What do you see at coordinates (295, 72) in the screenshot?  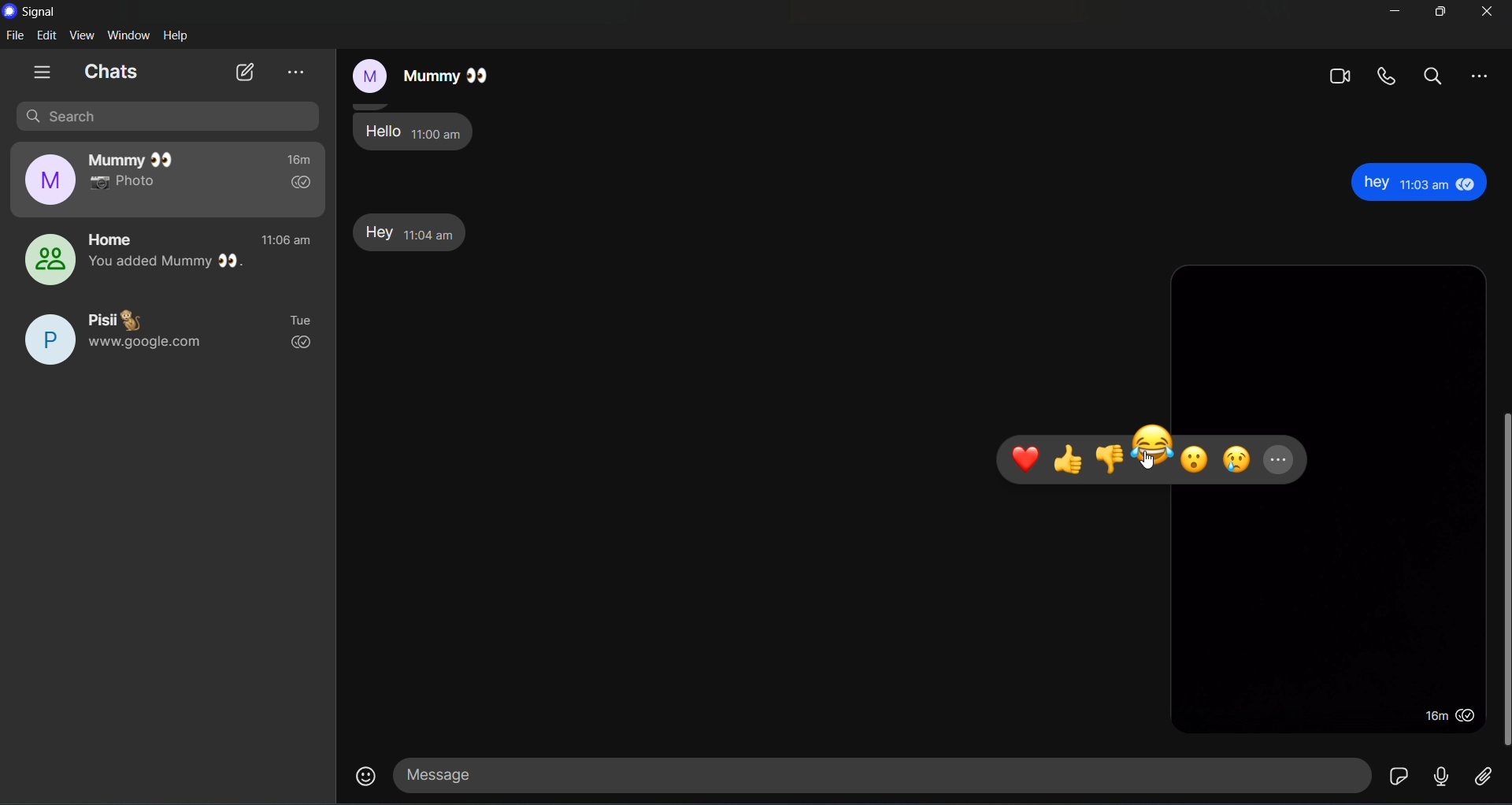 I see `view archieve` at bounding box center [295, 72].